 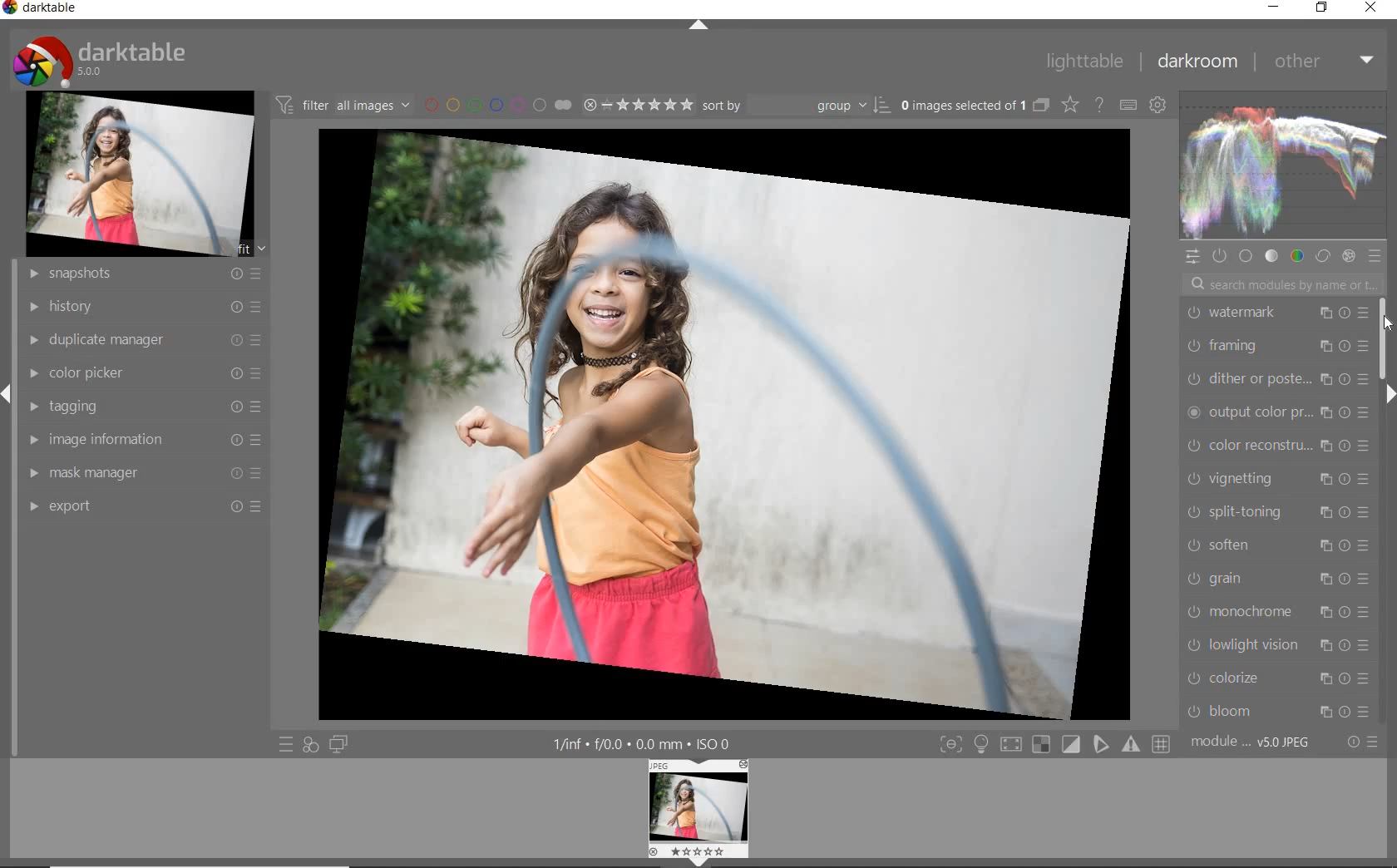 What do you see at coordinates (1054, 744) in the screenshot?
I see `toggle mode` at bounding box center [1054, 744].